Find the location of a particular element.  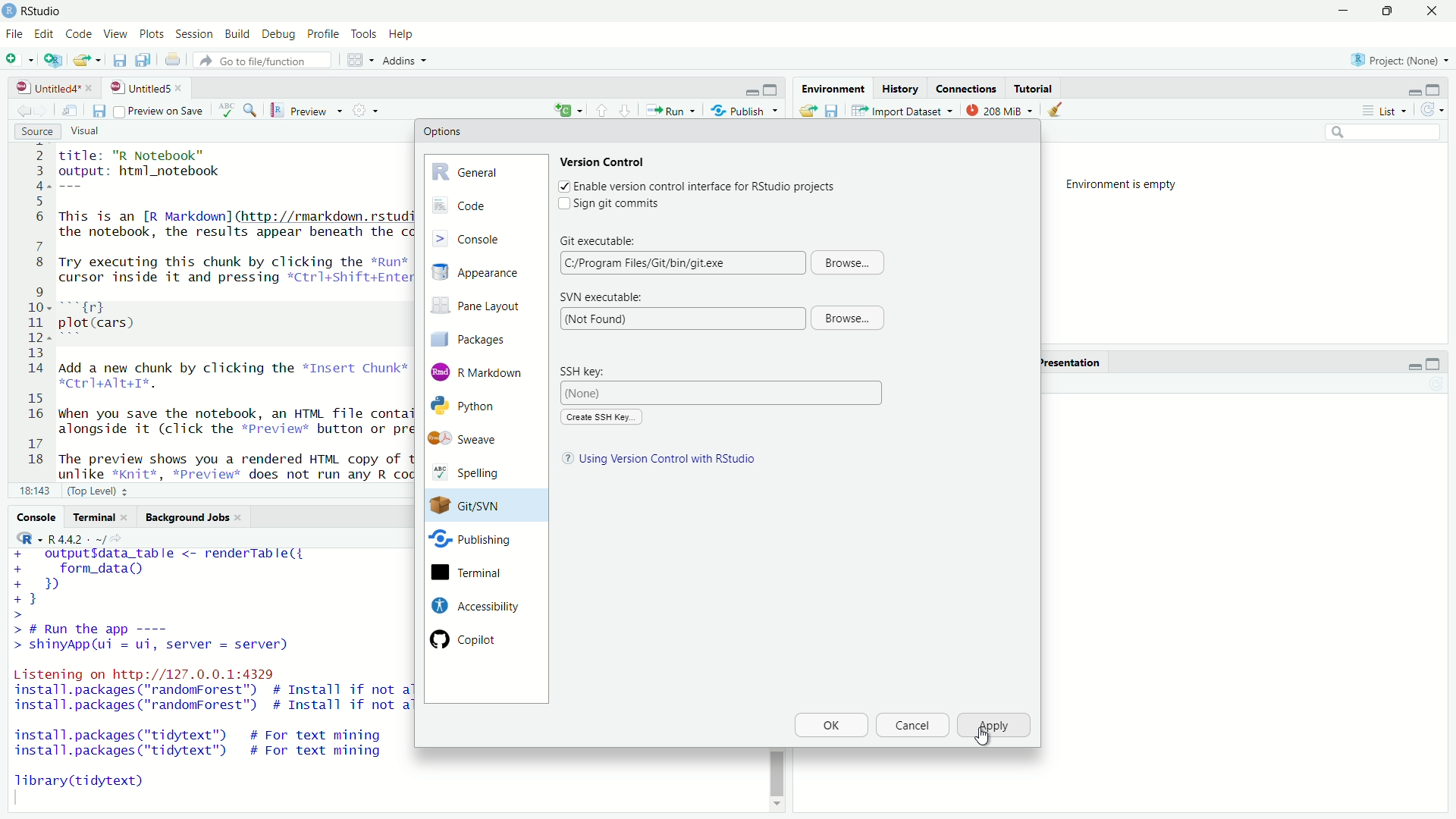

Git/SVN is located at coordinates (472, 506).